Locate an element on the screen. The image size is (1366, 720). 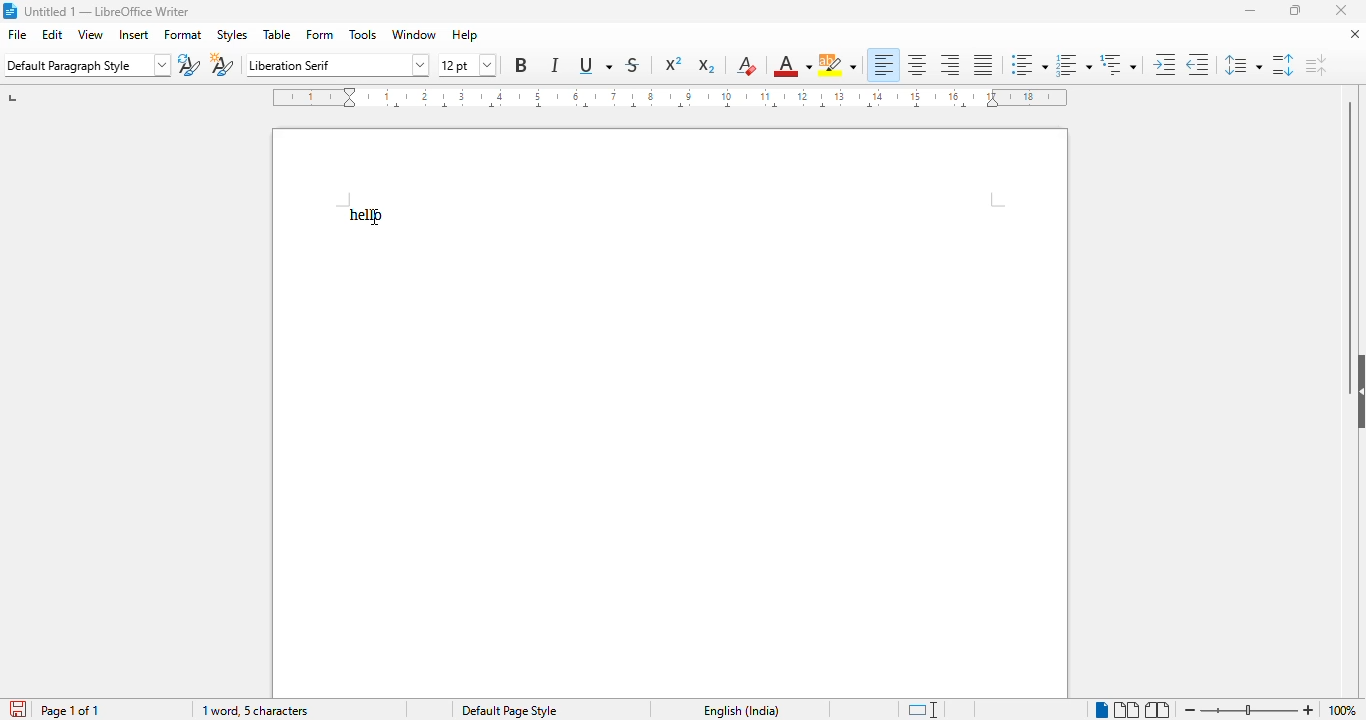
12 ptd is located at coordinates (456, 65).